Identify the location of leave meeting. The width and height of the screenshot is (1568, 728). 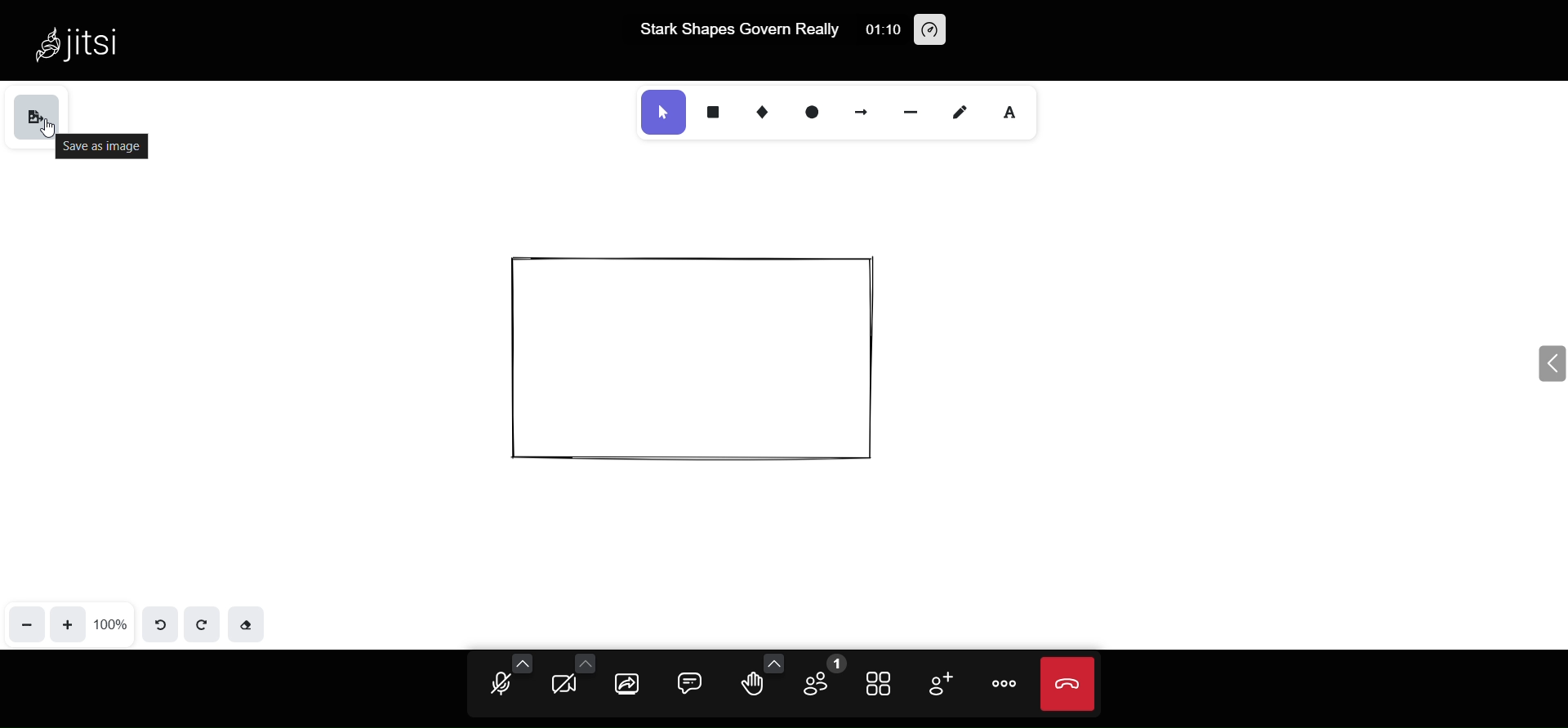
(1071, 684).